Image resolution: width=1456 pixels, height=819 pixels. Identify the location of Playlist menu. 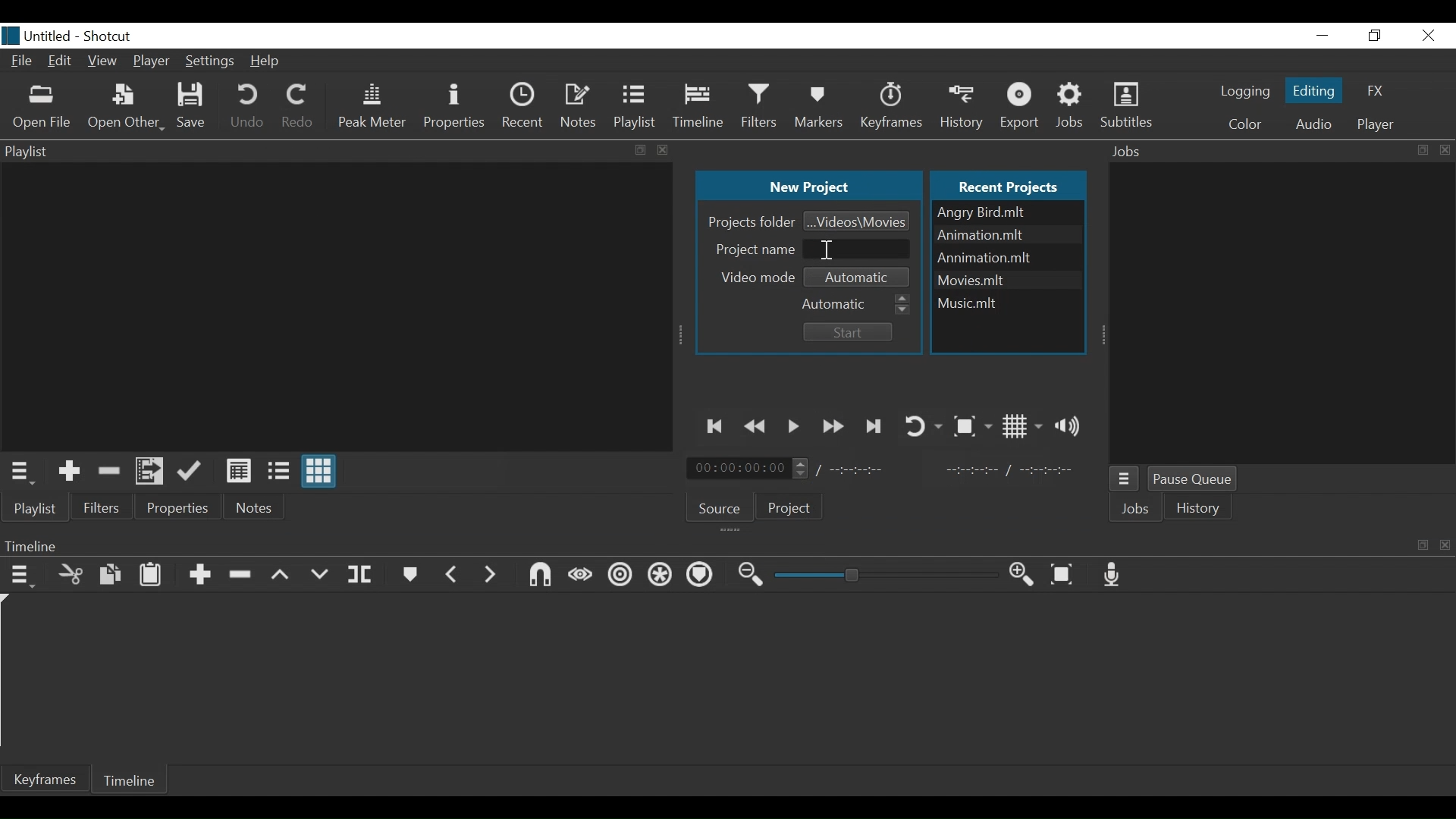
(42, 509).